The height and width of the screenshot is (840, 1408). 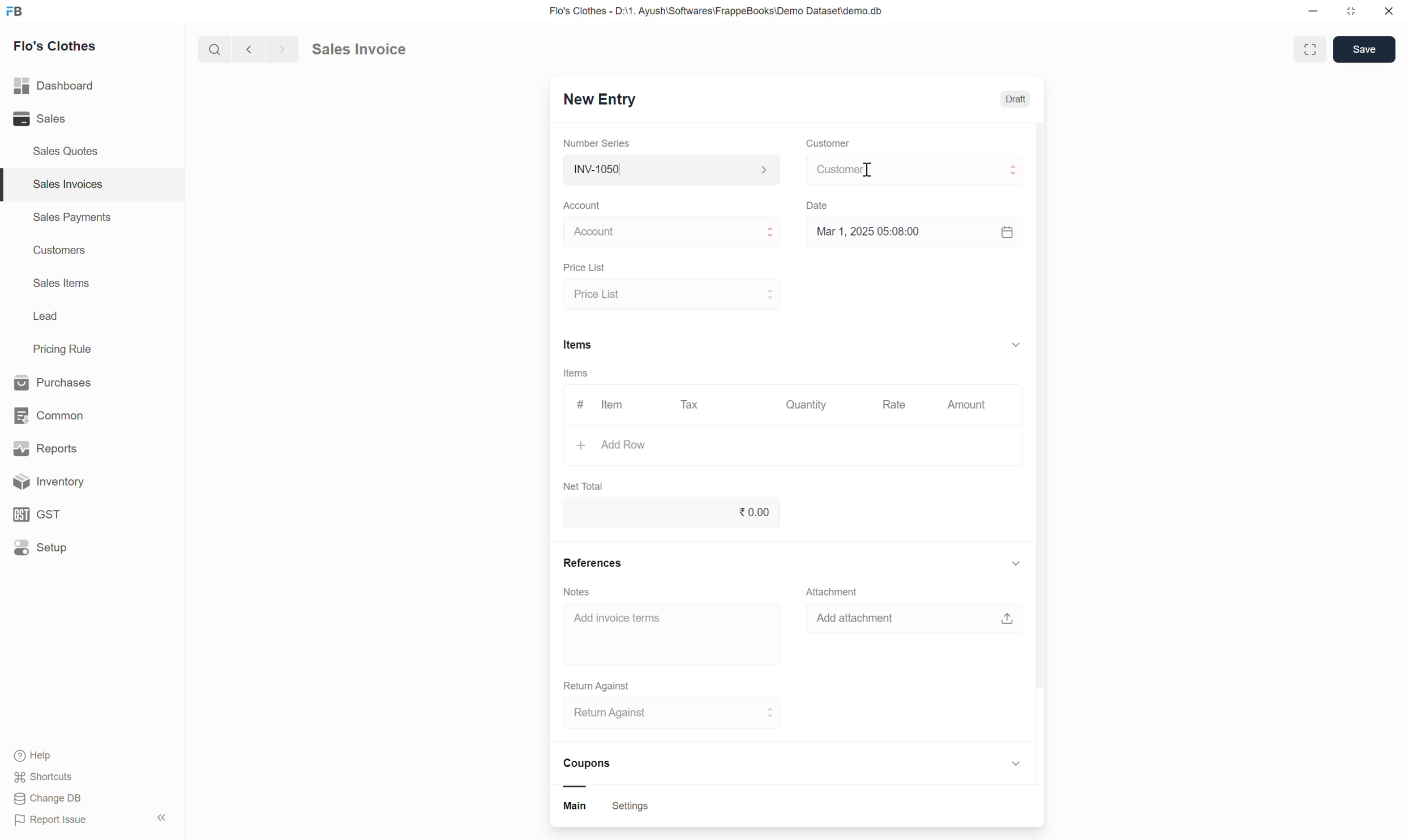 What do you see at coordinates (577, 591) in the screenshot?
I see `Notes` at bounding box center [577, 591].